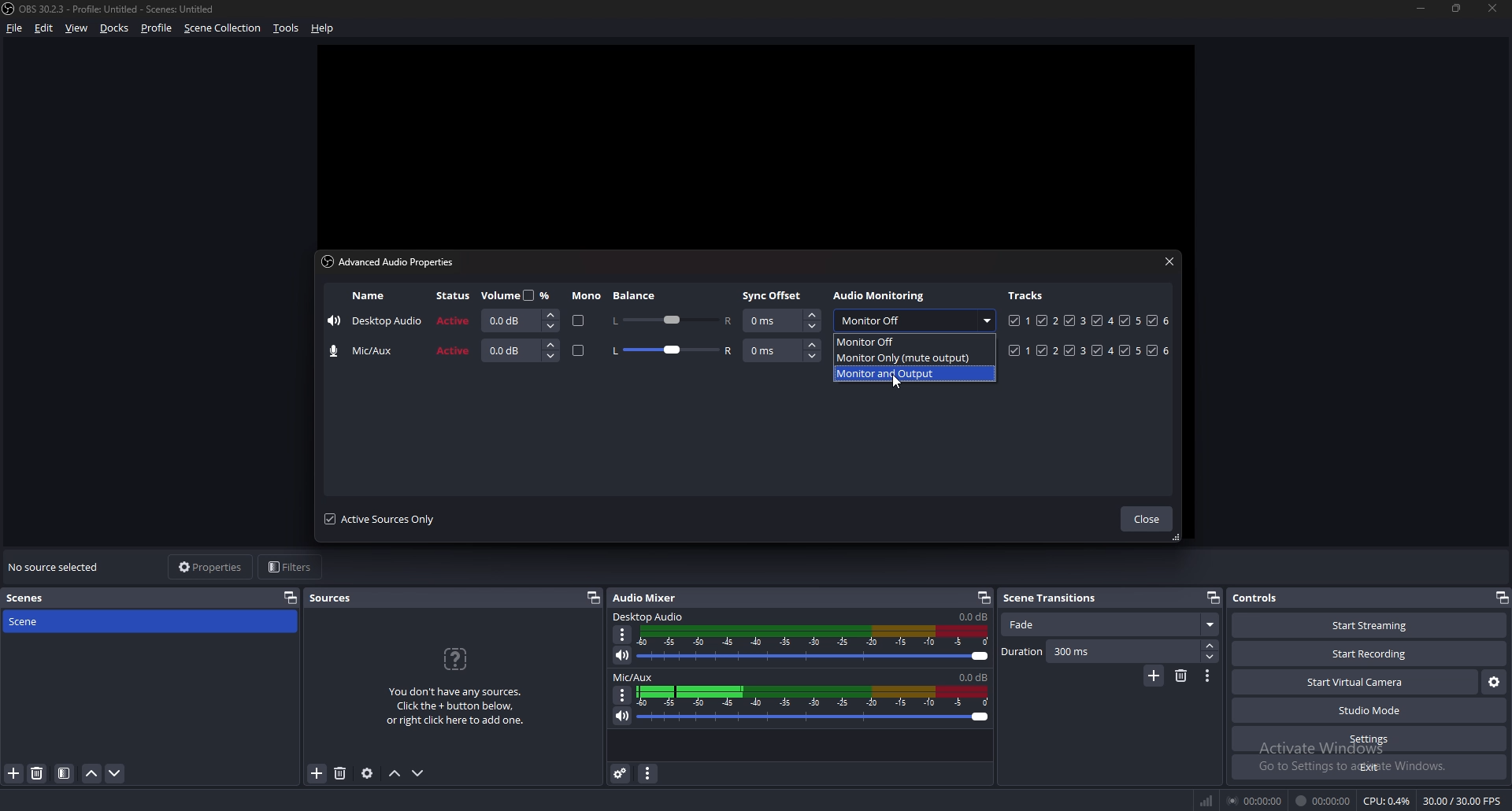 Image resolution: width=1512 pixels, height=811 pixels. What do you see at coordinates (1501, 597) in the screenshot?
I see `pop out` at bounding box center [1501, 597].